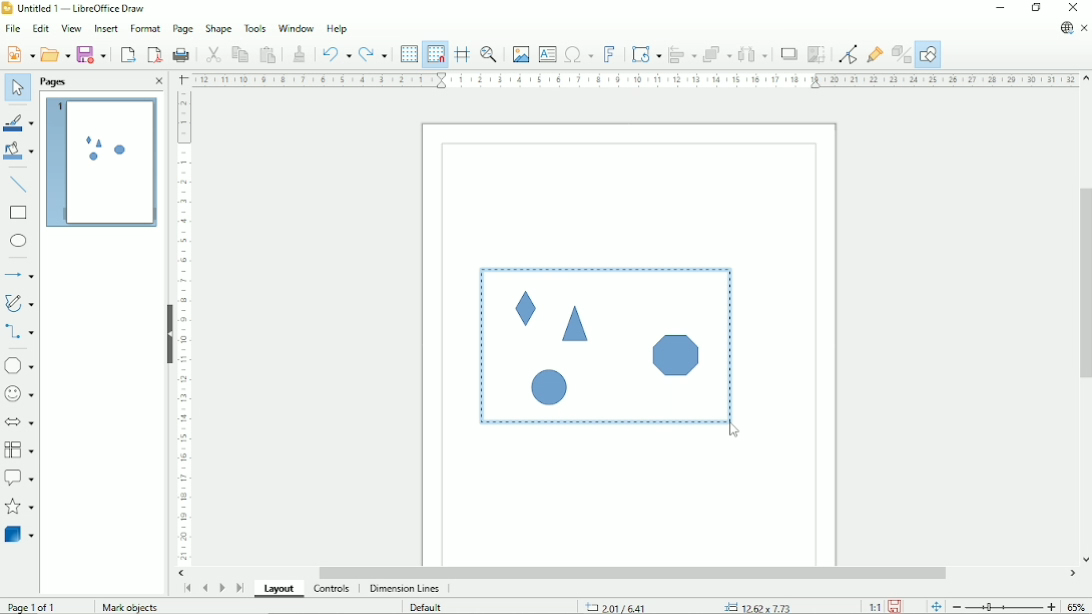  Describe the element at coordinates (20, 303) in the screenshot. I see `Curves and polygons` at that location.